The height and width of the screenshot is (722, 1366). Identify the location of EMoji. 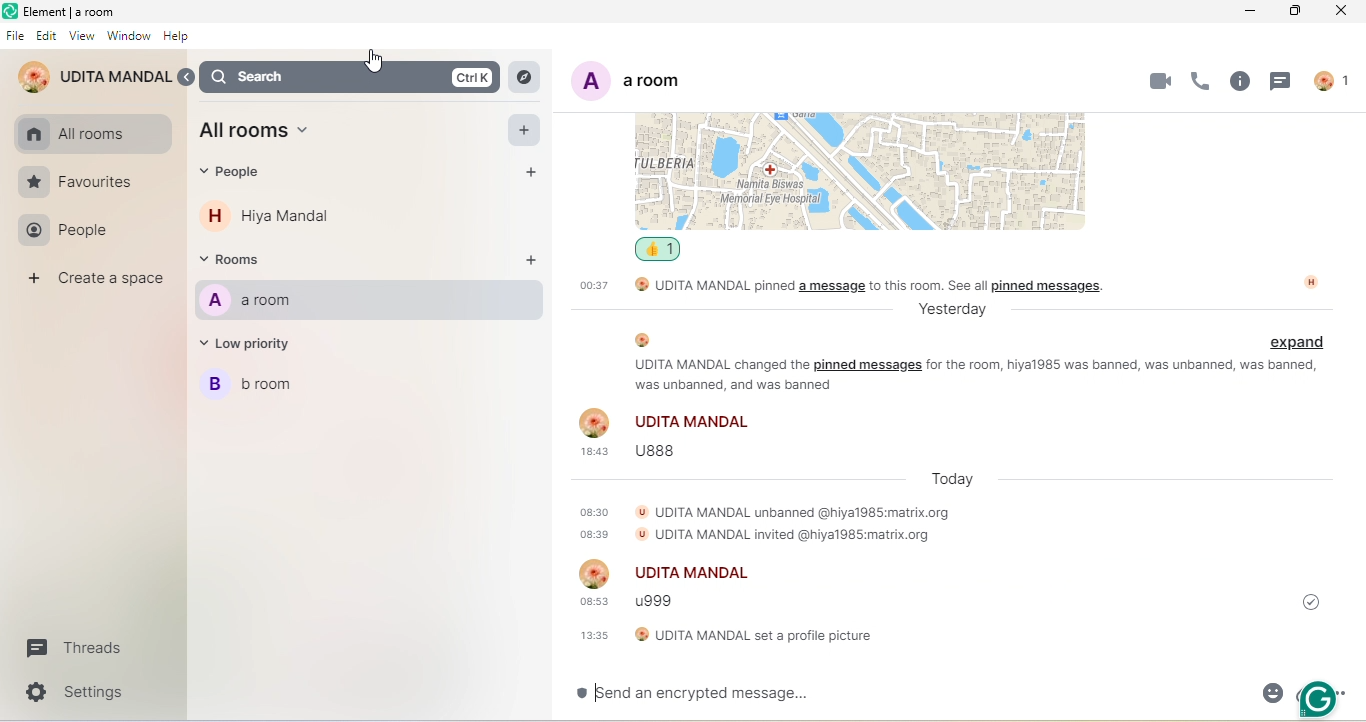
(1270, 695).